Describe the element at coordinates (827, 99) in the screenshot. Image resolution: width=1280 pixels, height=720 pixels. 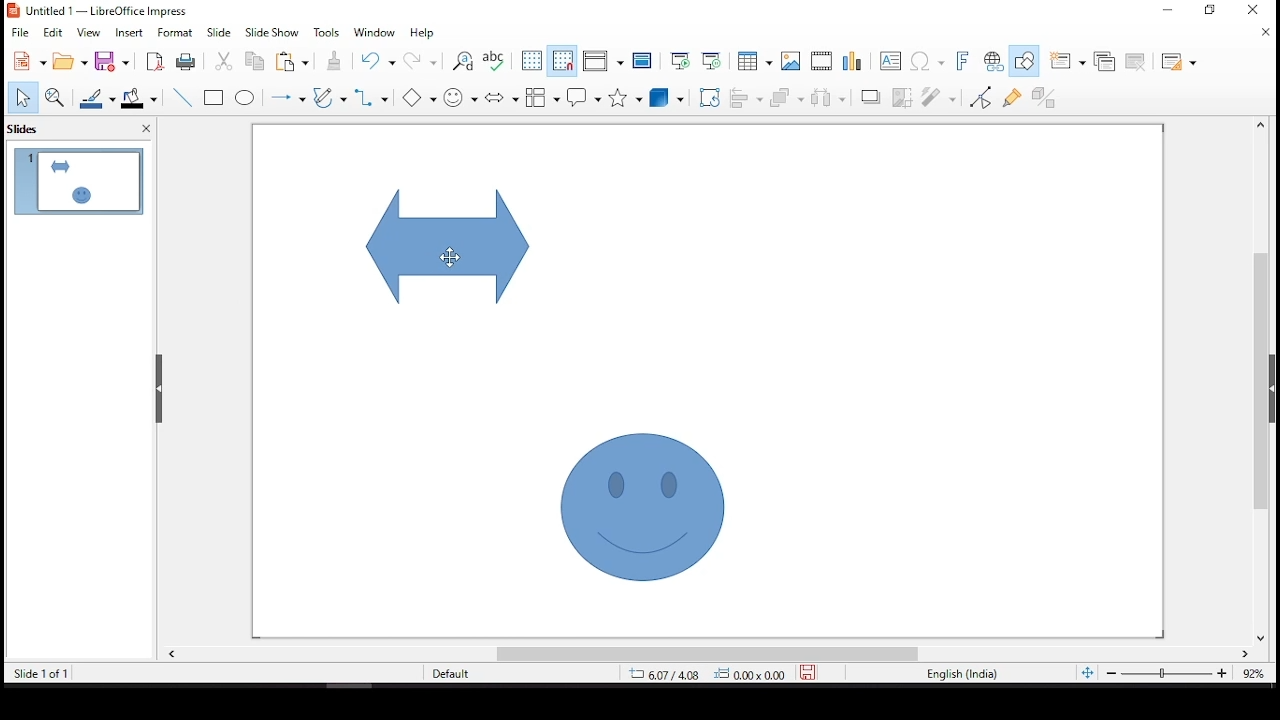
I see `distribute` at that location.